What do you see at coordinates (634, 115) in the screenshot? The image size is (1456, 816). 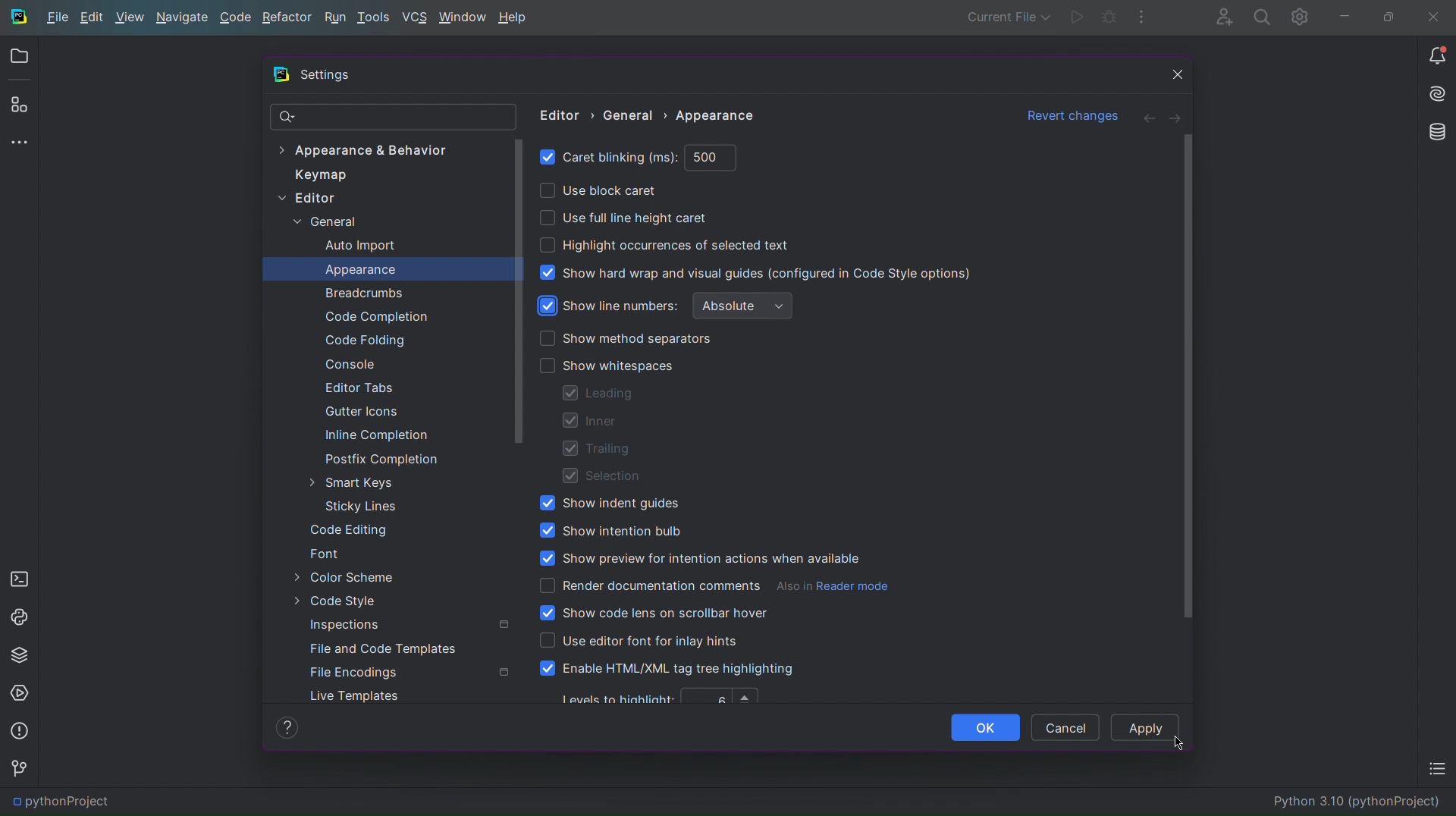 I see `General ` at bounding box center [634, 115].